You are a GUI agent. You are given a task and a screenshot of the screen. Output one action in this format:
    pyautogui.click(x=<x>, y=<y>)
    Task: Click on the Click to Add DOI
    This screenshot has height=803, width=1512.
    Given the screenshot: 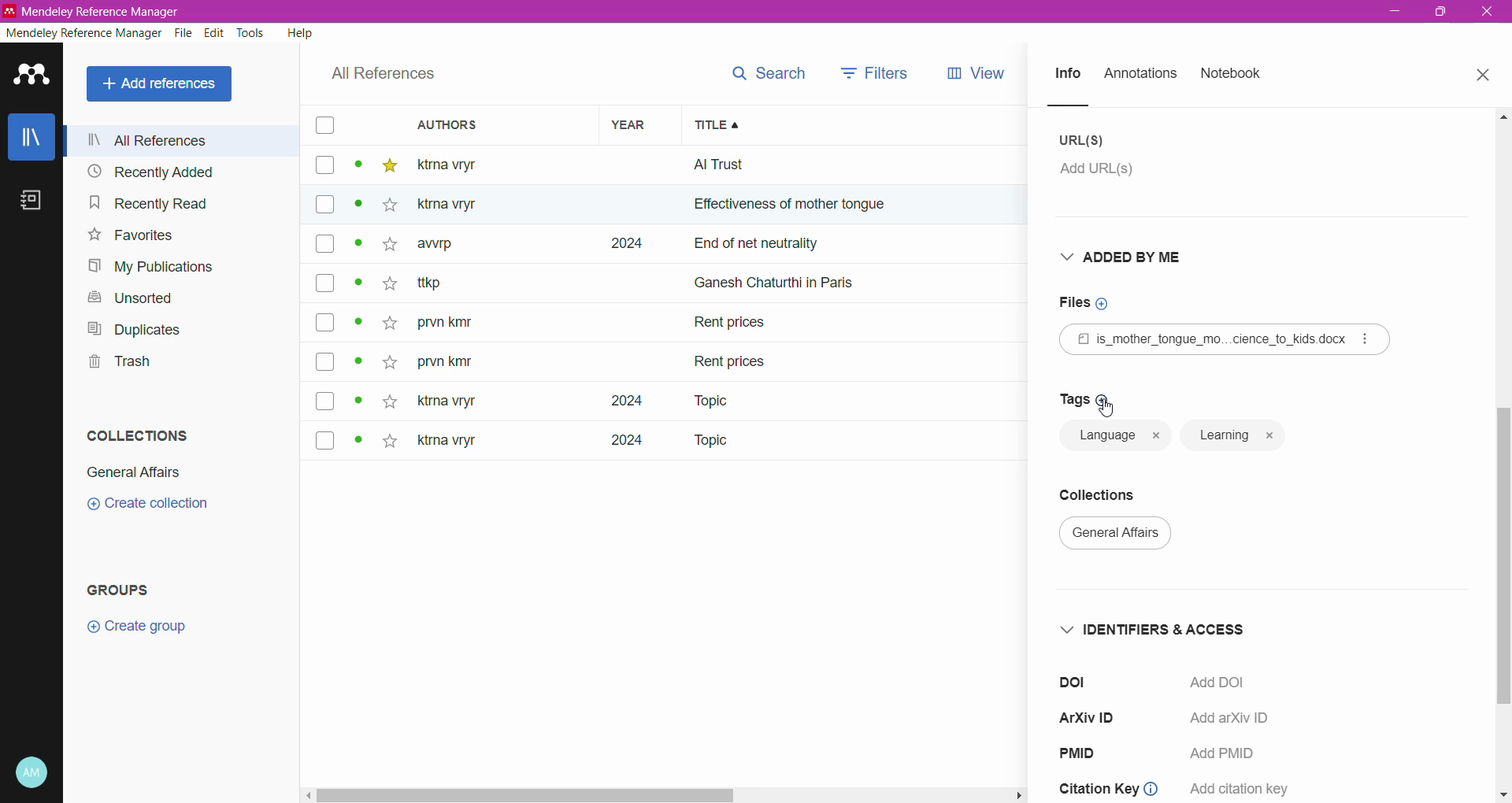 What is the action you would take?
    pyautogui.click(x=1229, y=683)
    